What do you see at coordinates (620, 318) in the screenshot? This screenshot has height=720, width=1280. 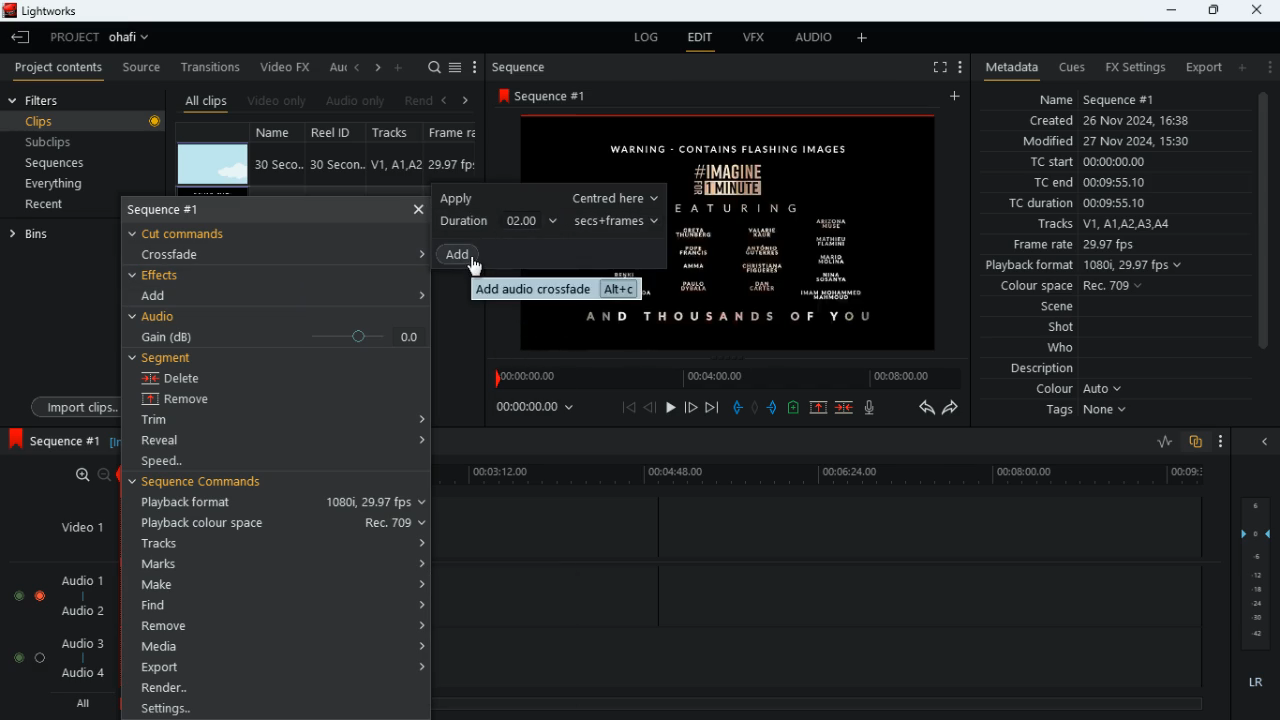 I see `text` at bounding box center [620, 318].